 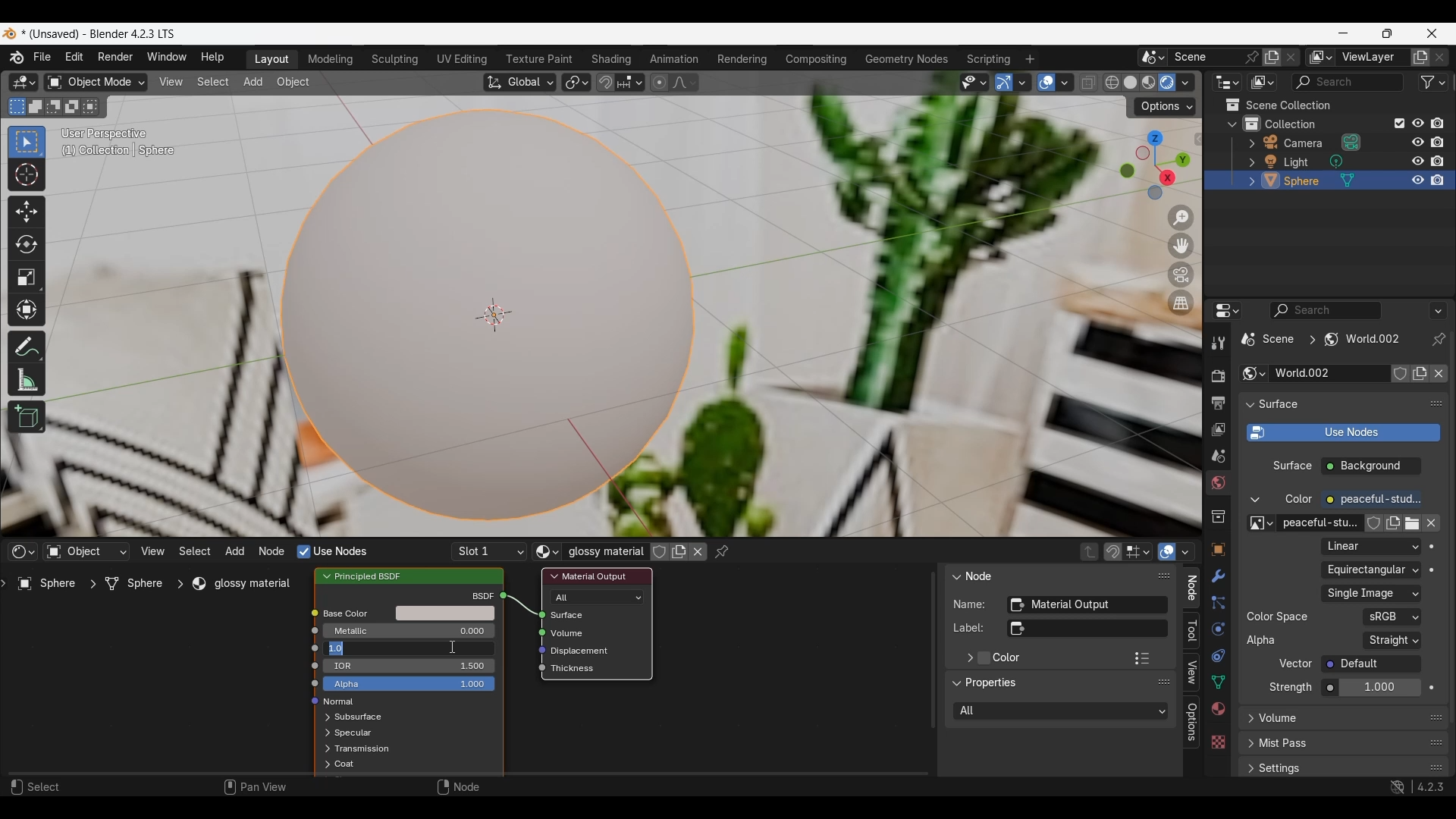 What do you see at coordinates (981, 575) in the screenshot?
I see `Node` at bounding box center [981, 575].